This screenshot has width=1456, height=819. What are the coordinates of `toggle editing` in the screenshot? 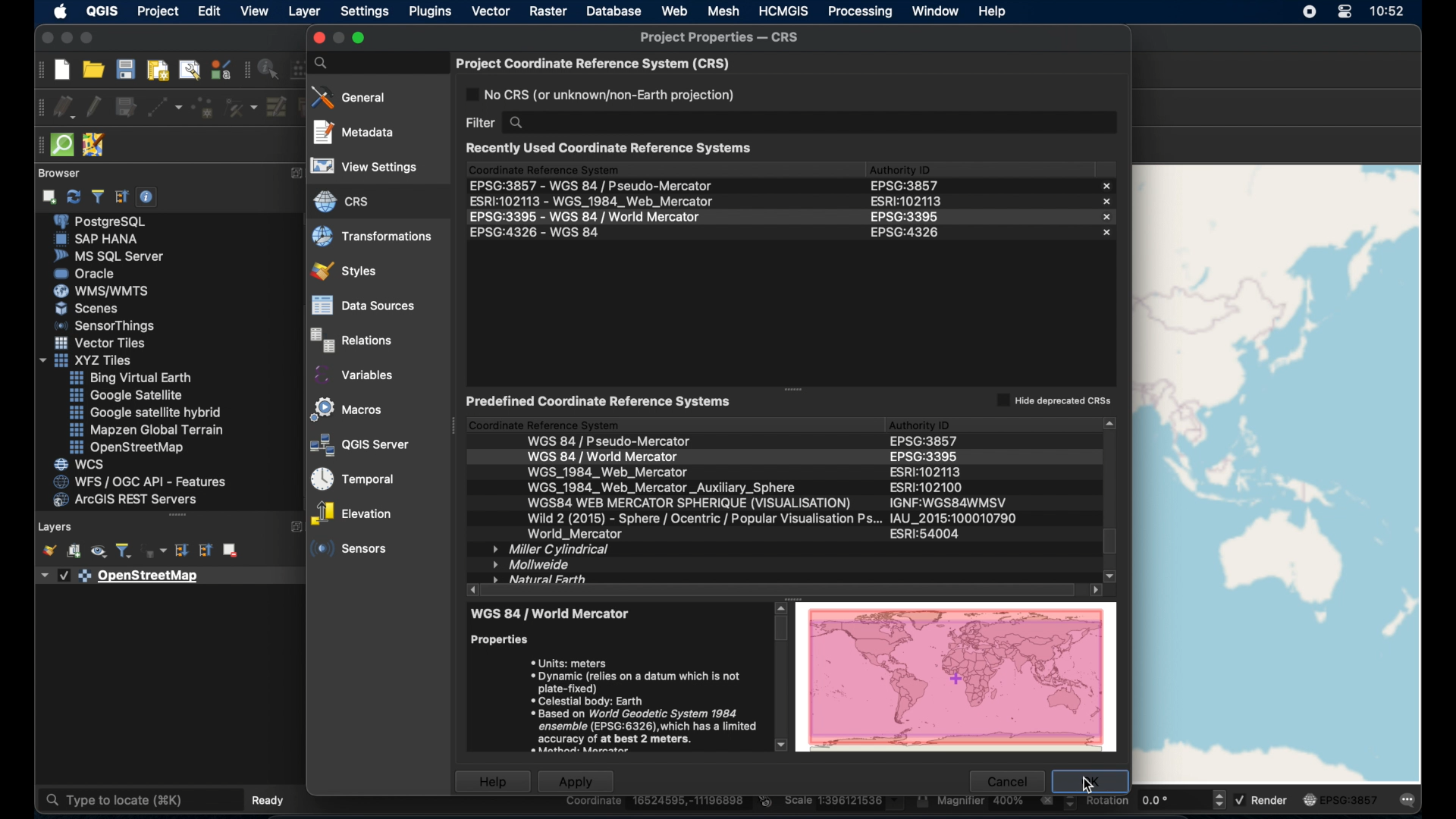 It's located at (97, 108).